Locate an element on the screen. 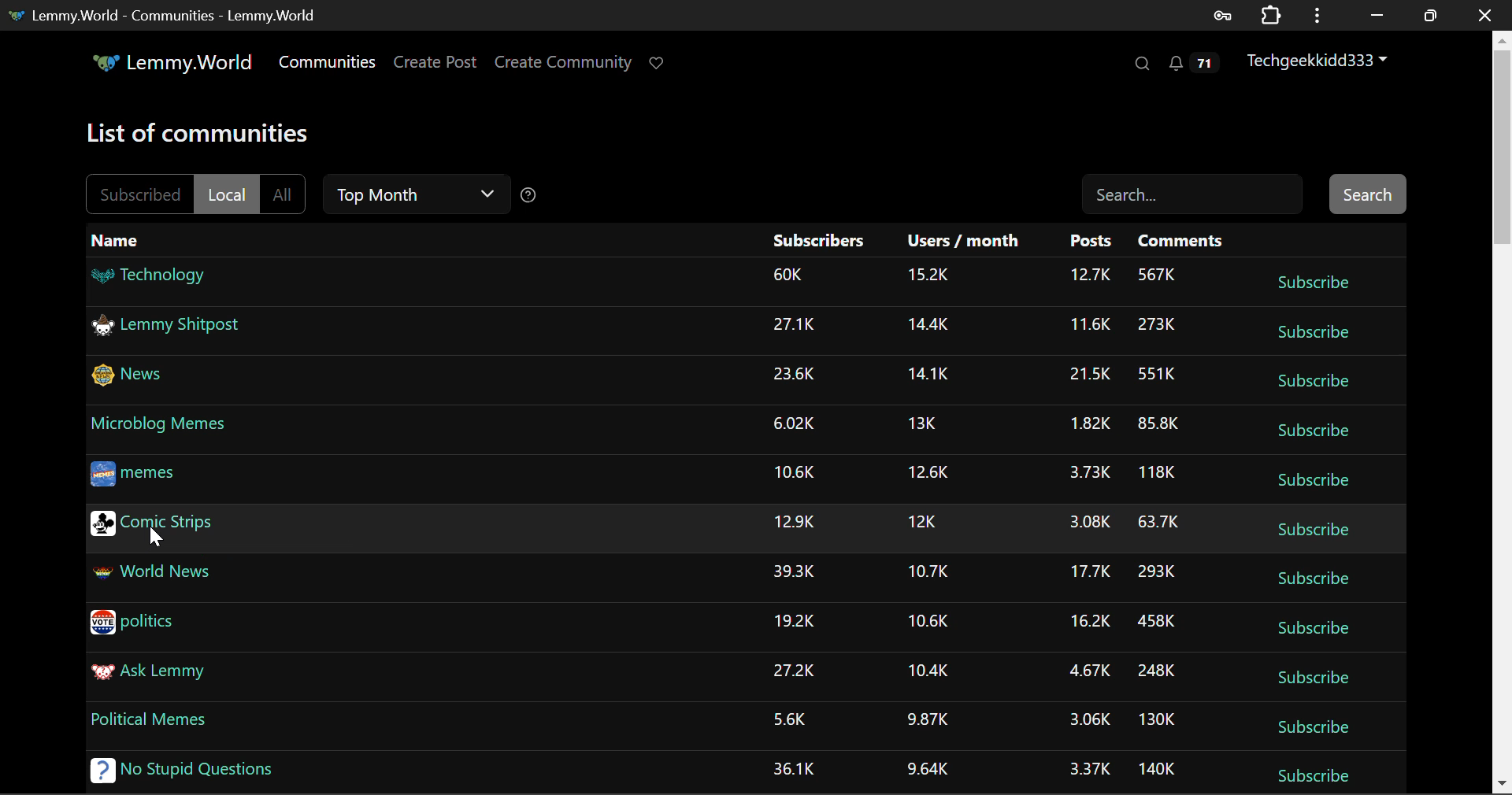 Image resolution: width=1512 pixels, height=795 pixels. All is located at coordinates (287, 193).